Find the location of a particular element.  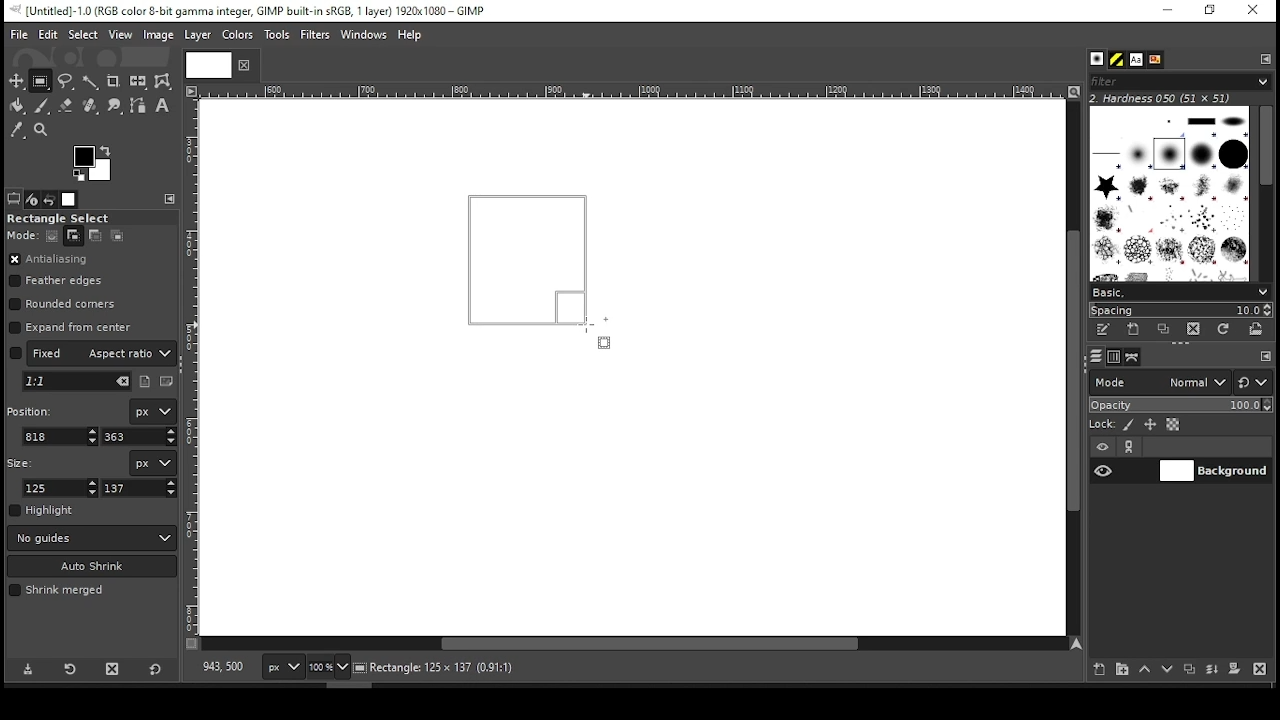

duplicate this brush is located at coordinates (1169, 329).